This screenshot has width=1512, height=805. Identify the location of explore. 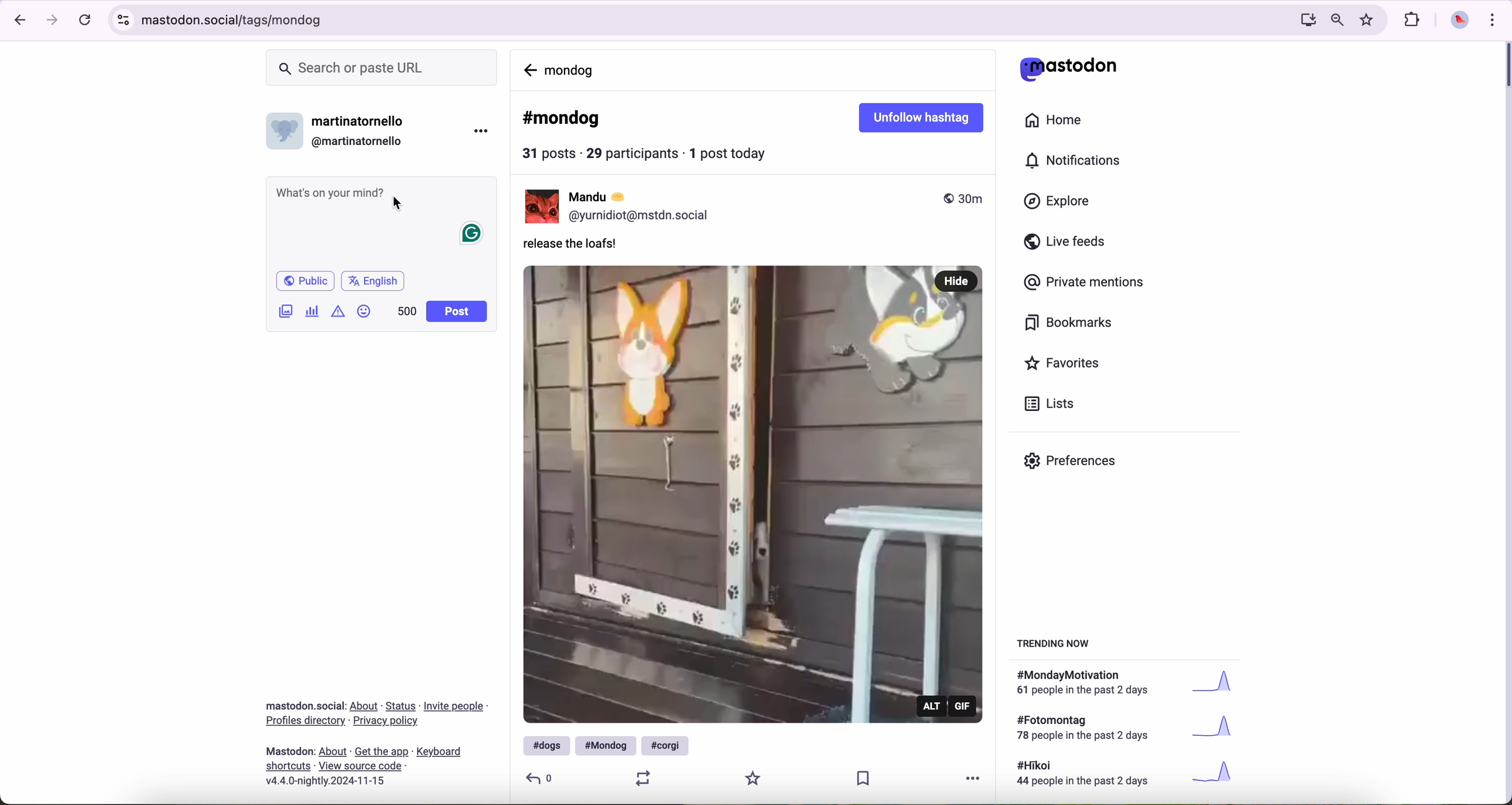
(1059, 202).